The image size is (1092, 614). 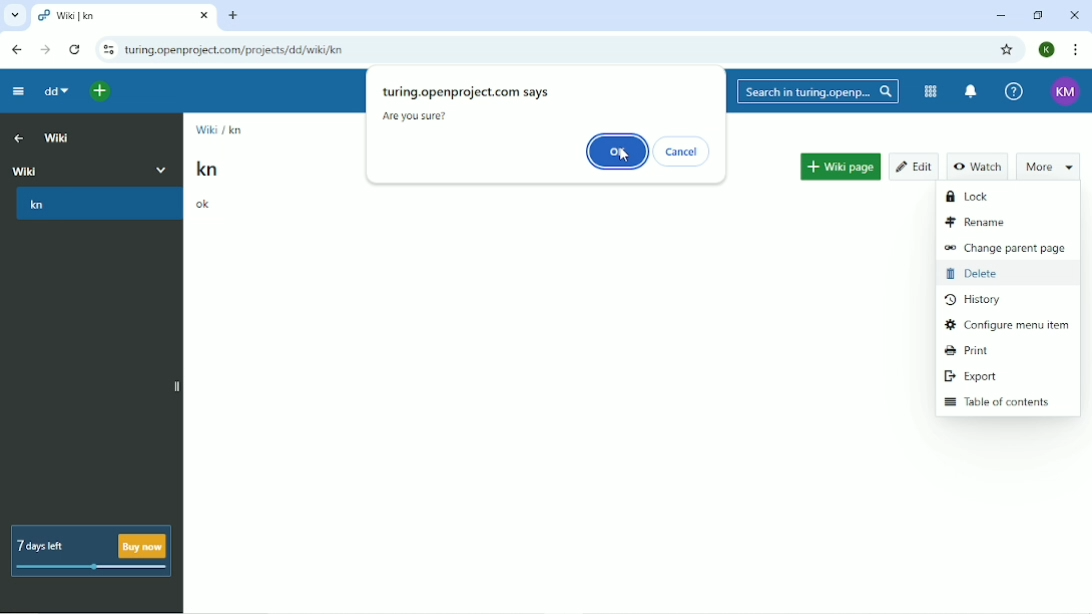 What do you see at coordinates (420, 117) in the screenshot?
I see `Are you sure?` at bounding box center [420, 117].